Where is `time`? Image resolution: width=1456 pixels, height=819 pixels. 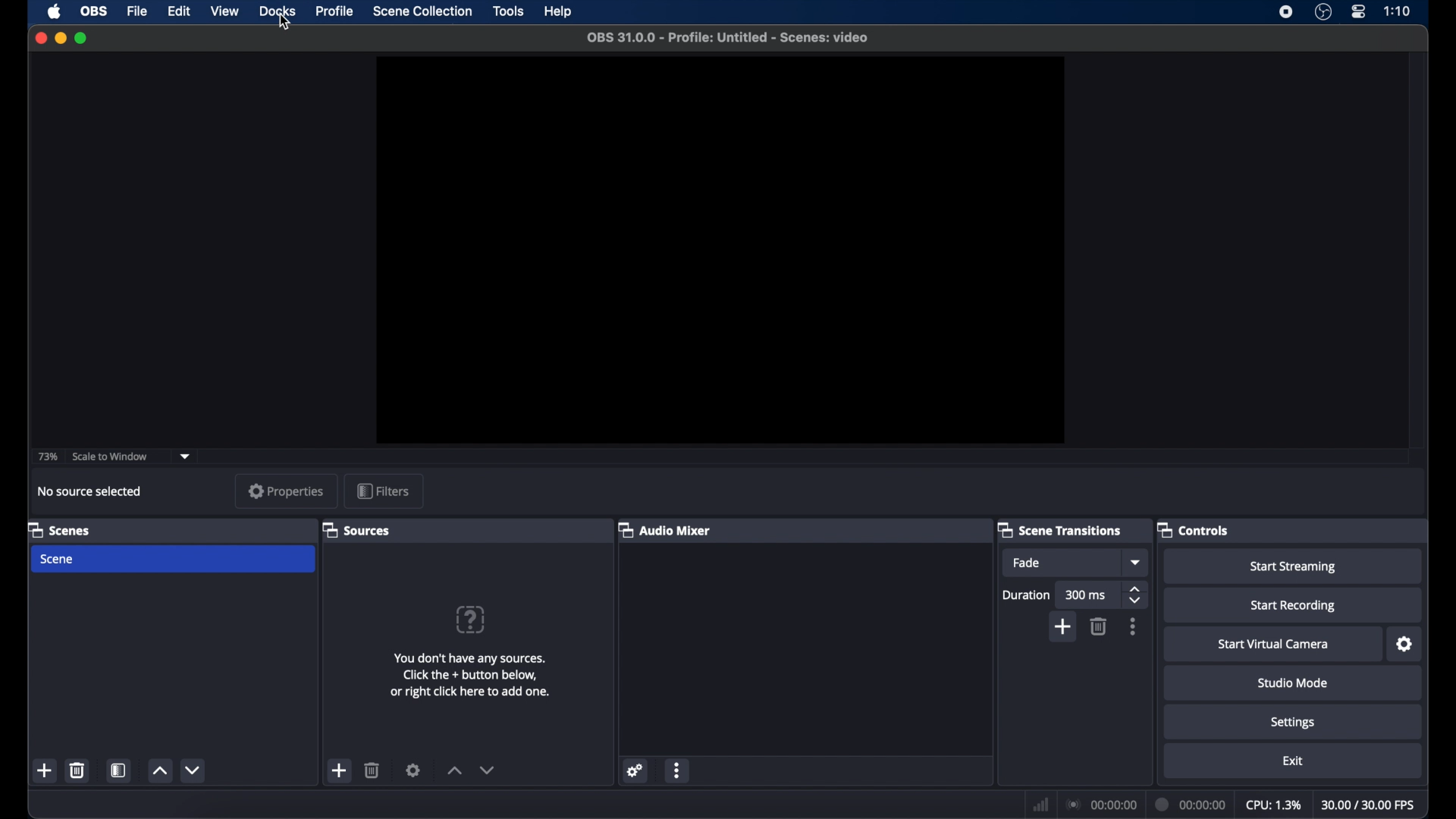
time is located at coordinates (1398, 11).